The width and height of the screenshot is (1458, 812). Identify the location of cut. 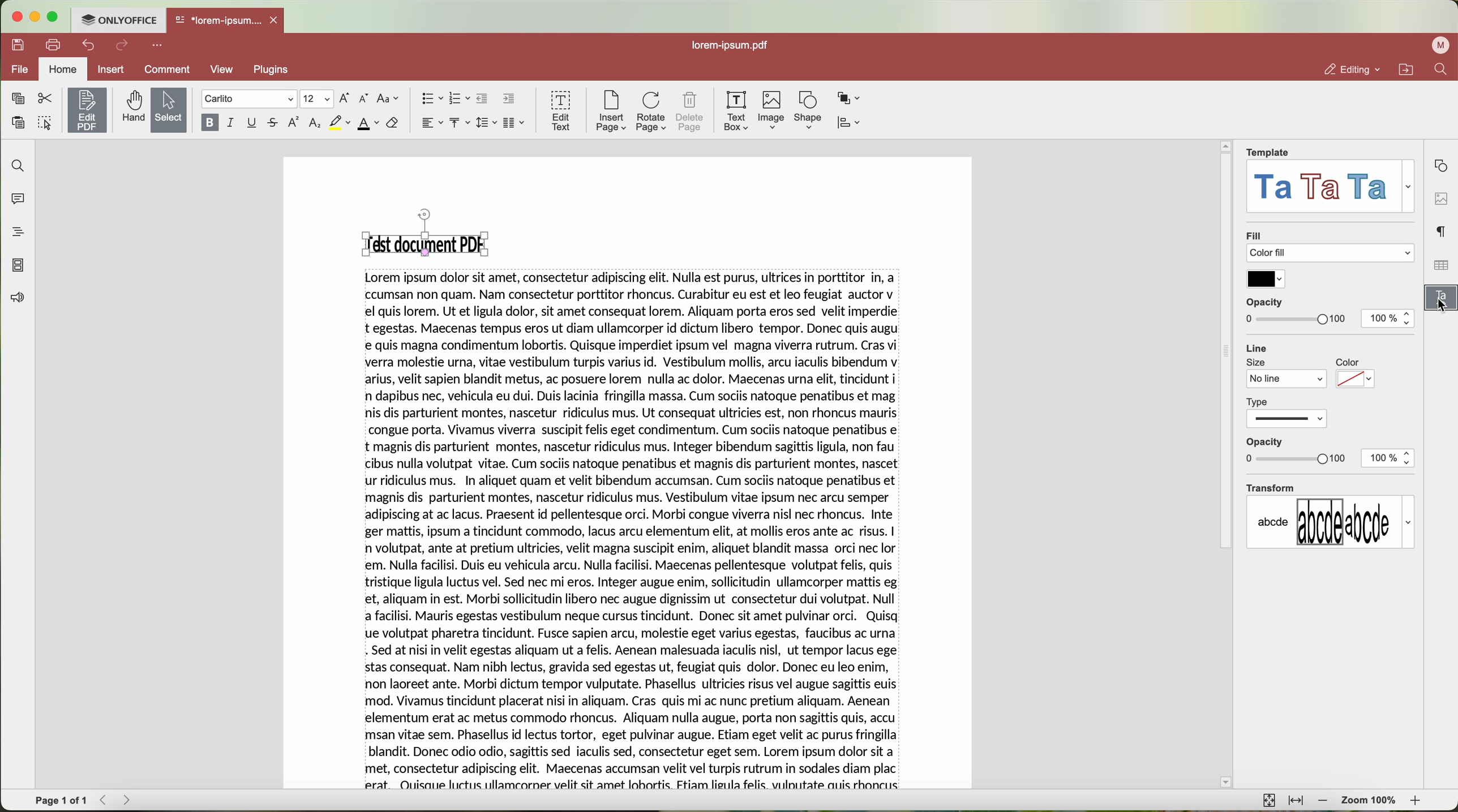
(44, 97).